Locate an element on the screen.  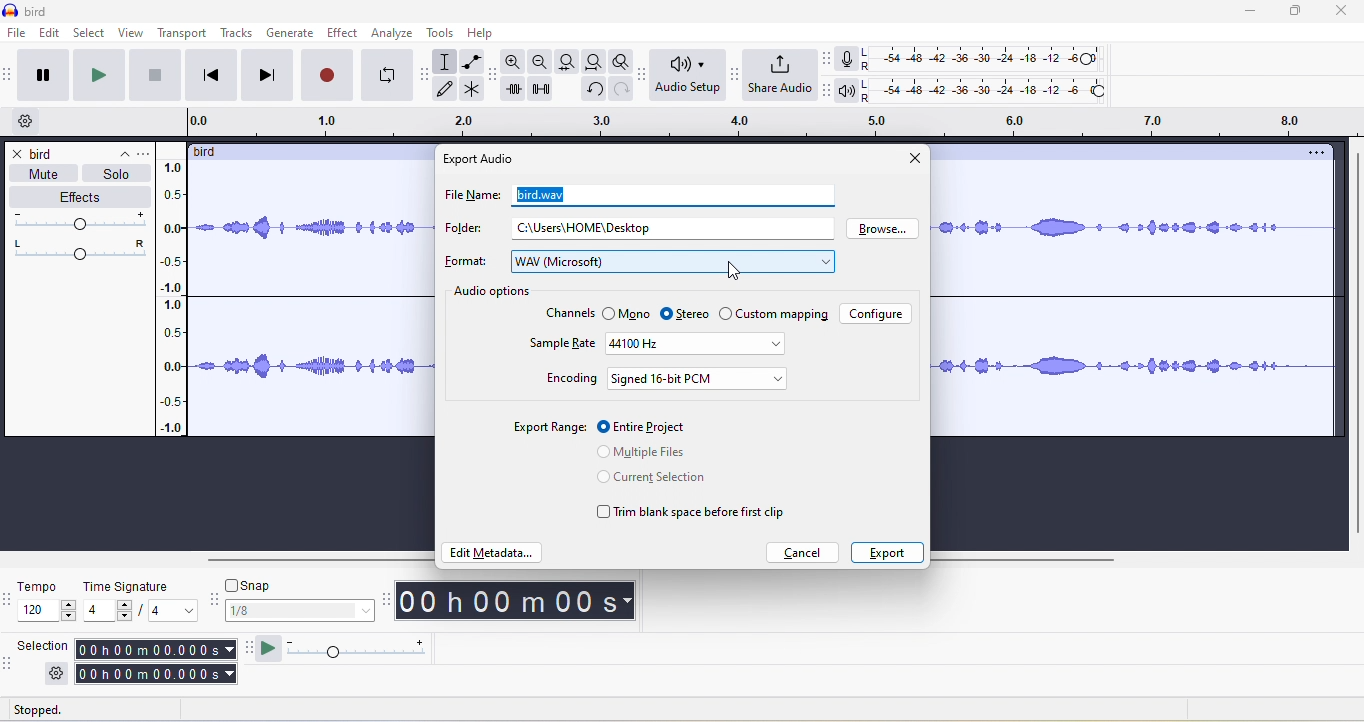
cursor movement is located at coordinates (733, 271).